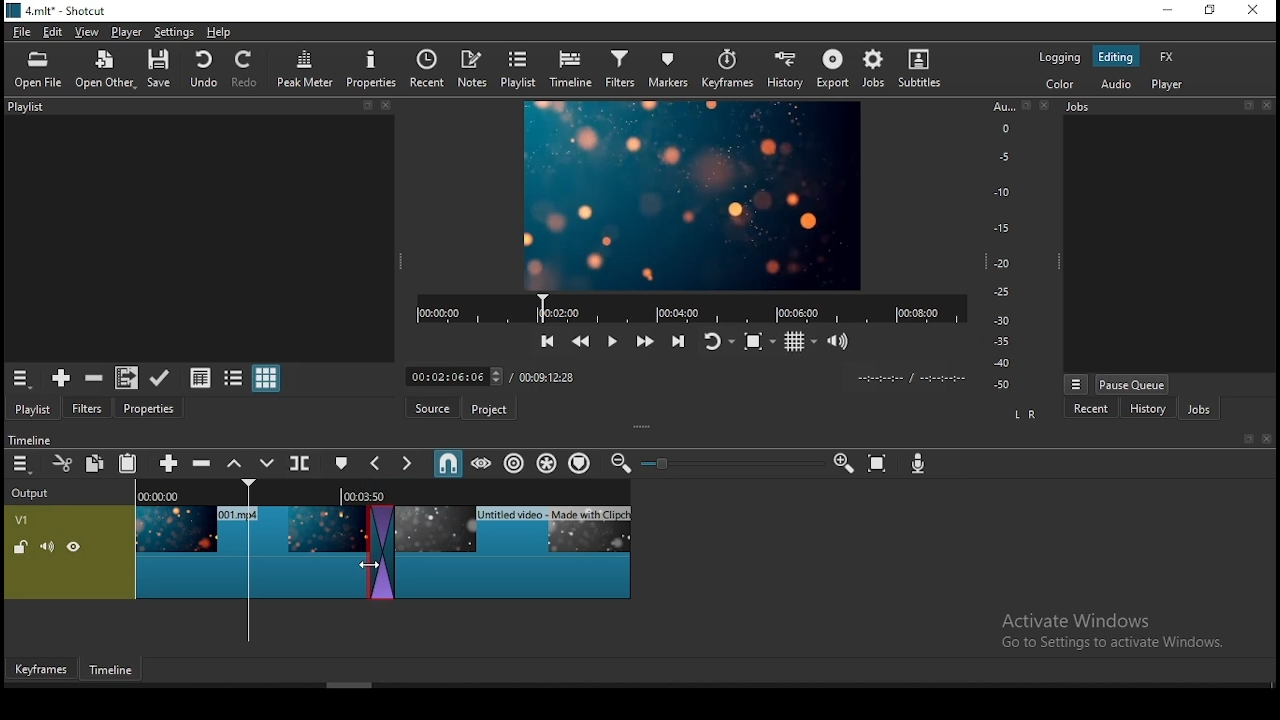 The height and width of the screenshot is (720, 1280). I want to click on timeline, so click(570, 70).